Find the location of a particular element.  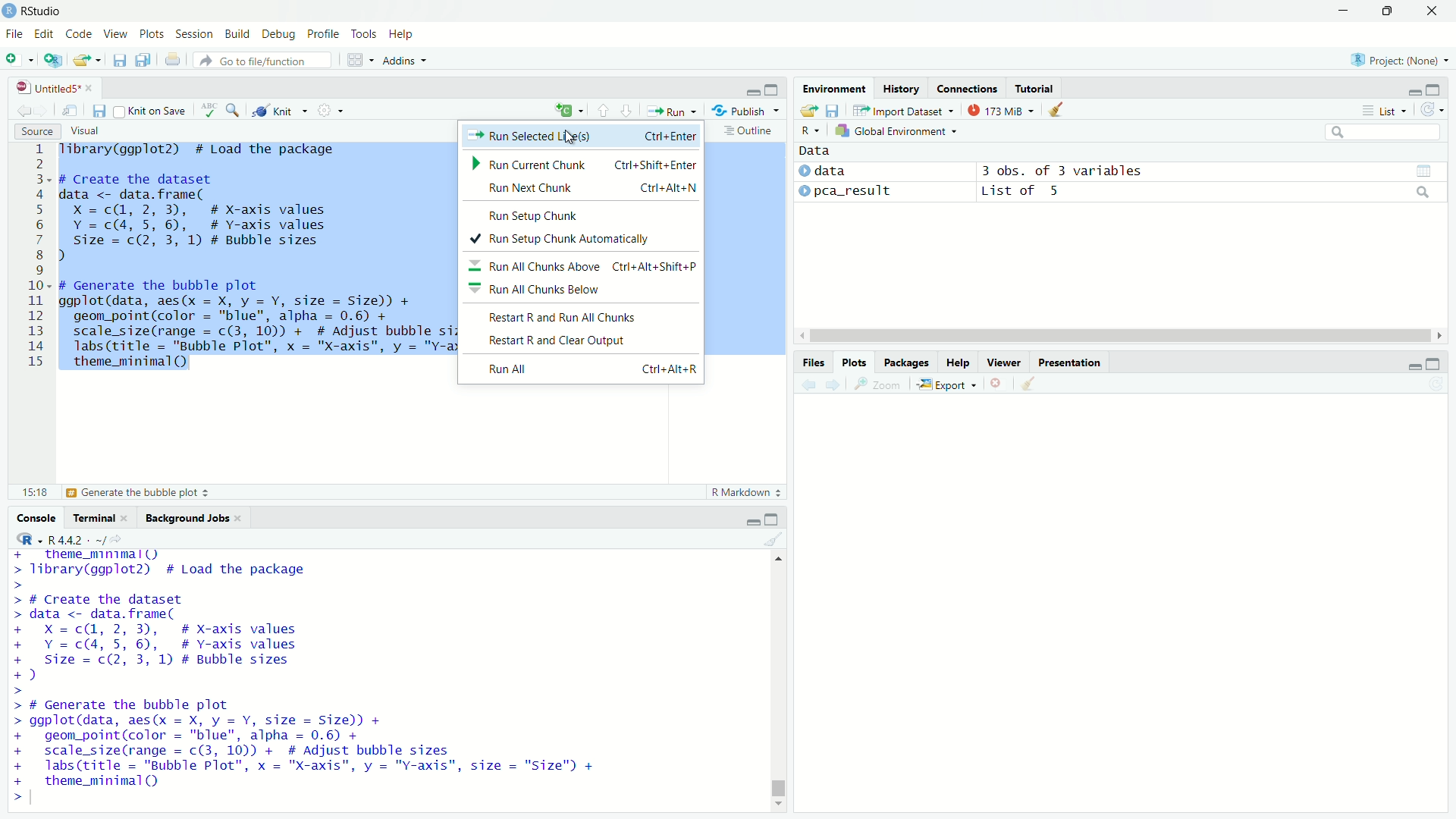

terminal is located at coordinates (101, 516).